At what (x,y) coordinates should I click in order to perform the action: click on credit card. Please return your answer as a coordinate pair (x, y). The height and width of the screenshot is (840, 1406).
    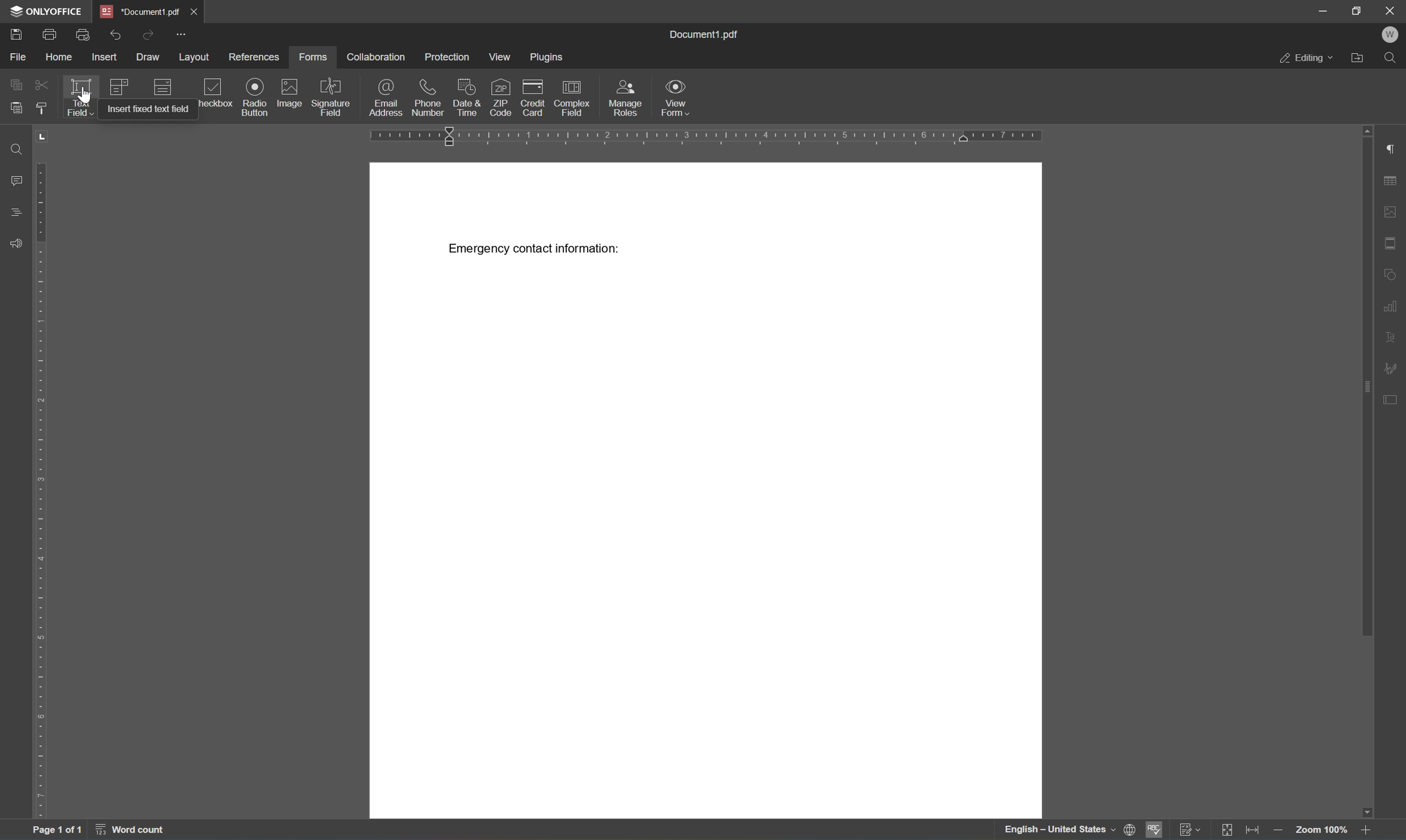
    Looking at the image, I should click on (533, 97).